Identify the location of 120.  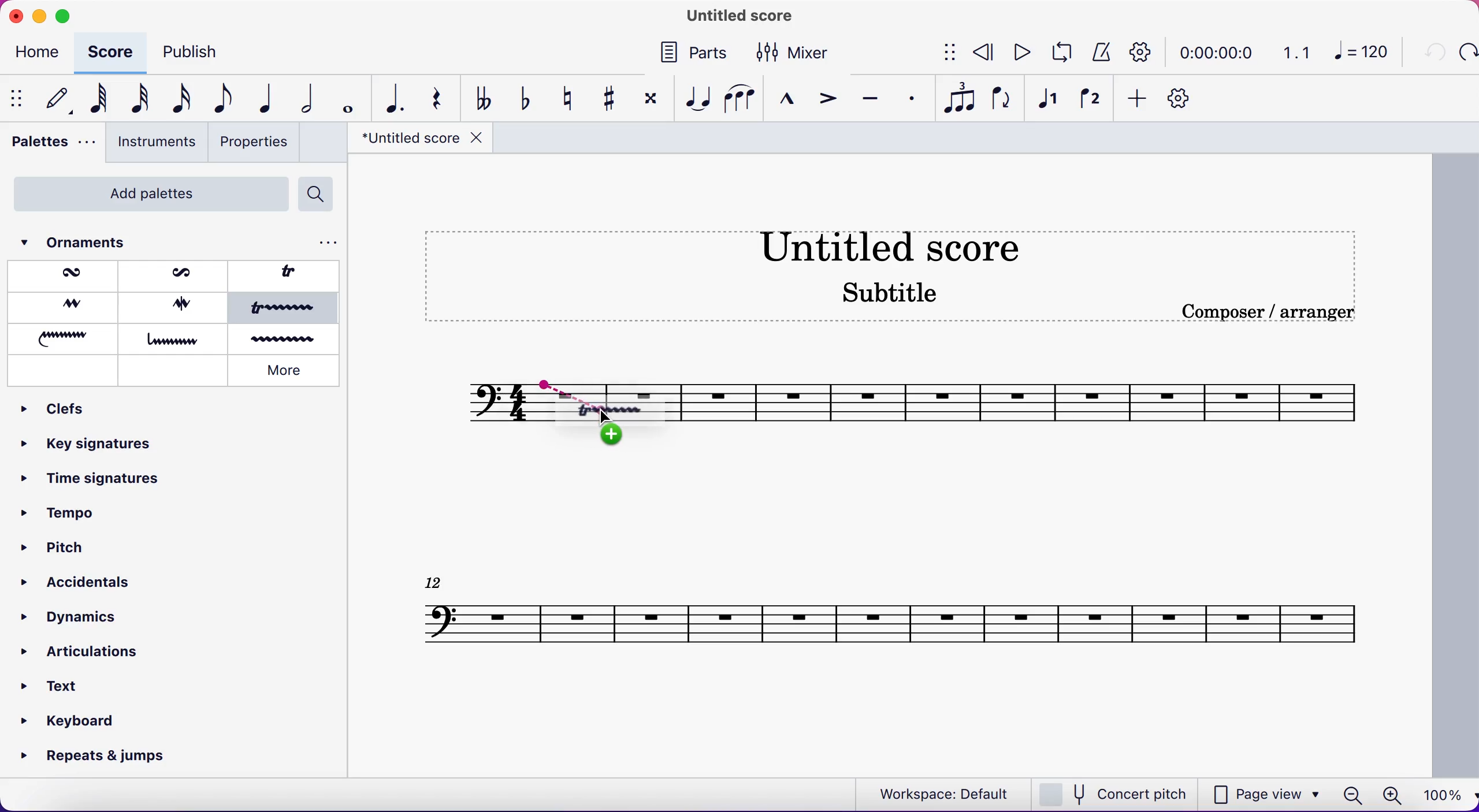
(1365, 54).